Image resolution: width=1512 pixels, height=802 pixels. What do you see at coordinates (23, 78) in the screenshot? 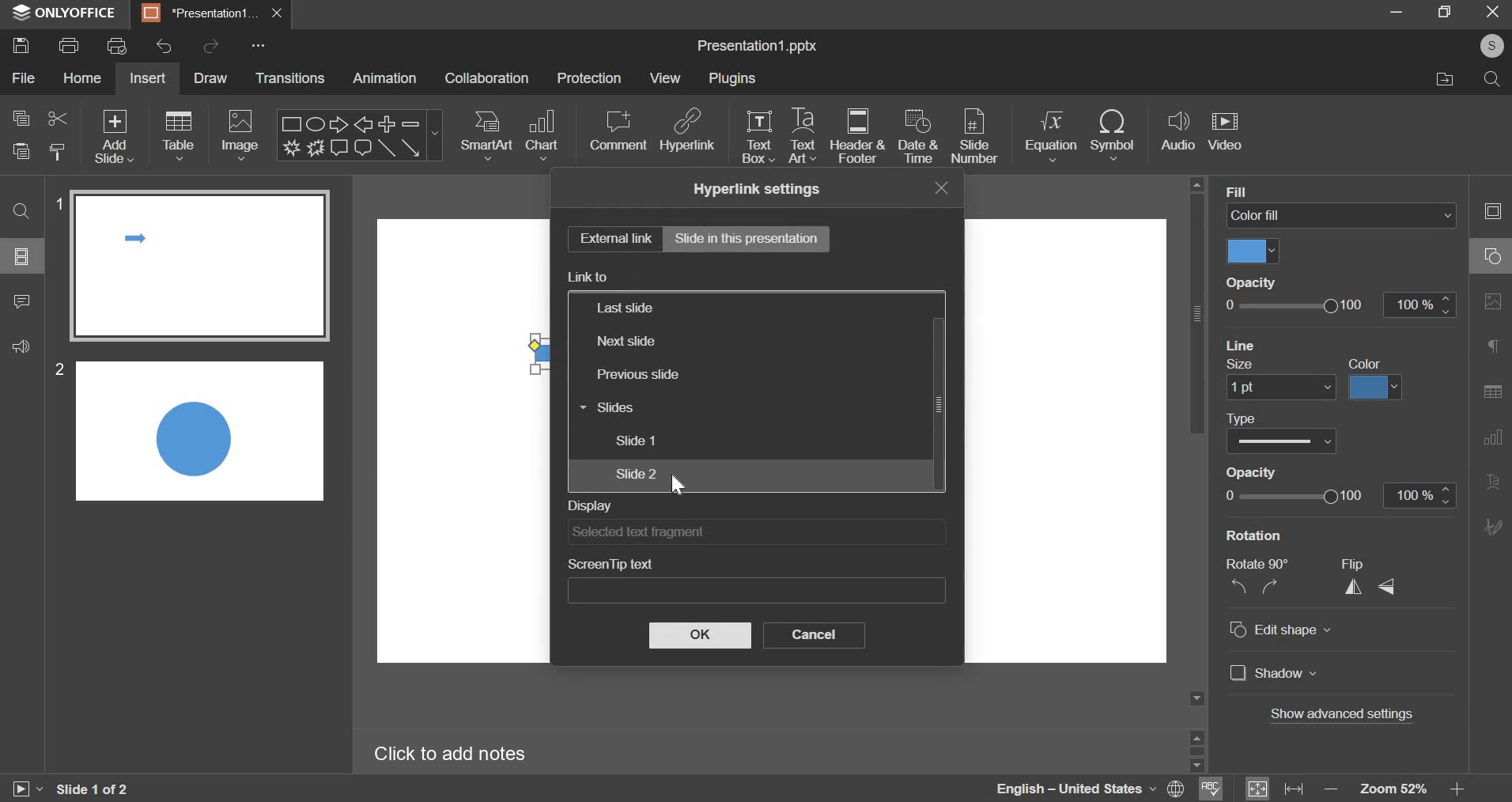
I see `file` at bounding box center [23, 78].